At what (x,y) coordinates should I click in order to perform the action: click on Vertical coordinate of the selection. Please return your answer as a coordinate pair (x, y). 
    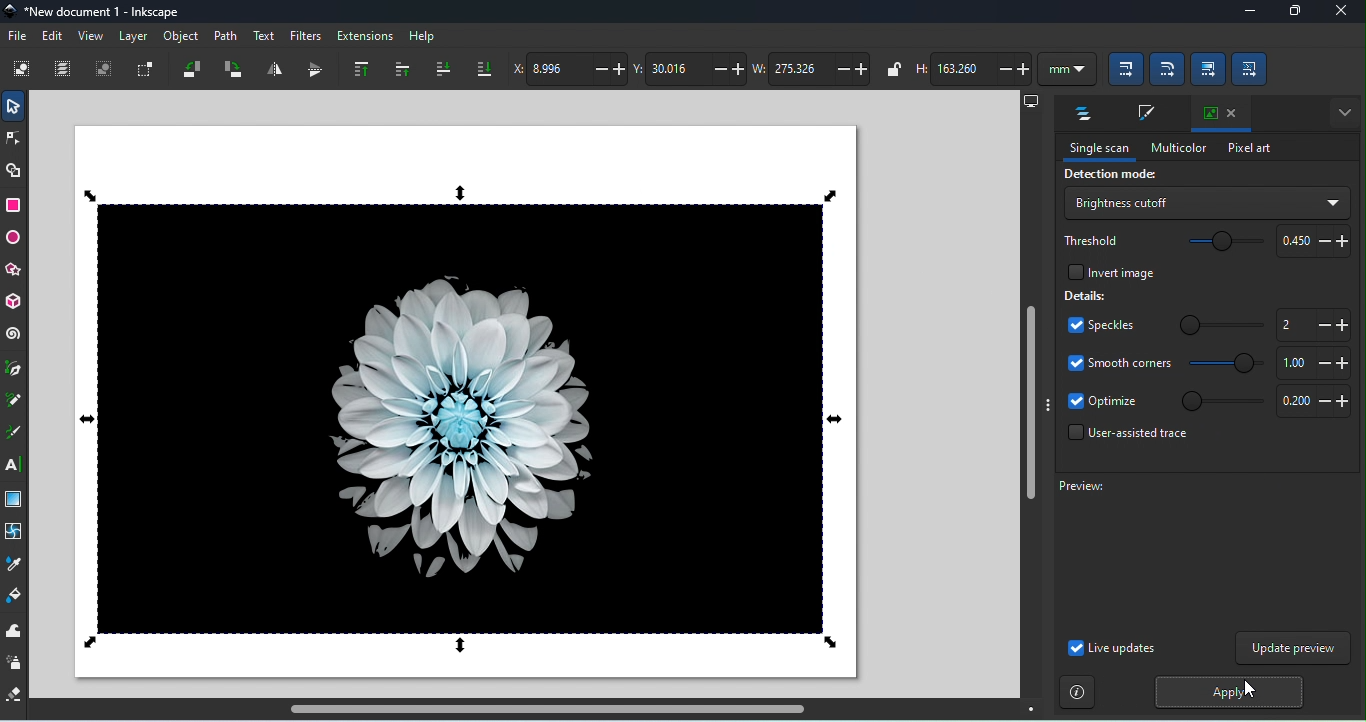
    Looking at the image, I should click on (691, 68).